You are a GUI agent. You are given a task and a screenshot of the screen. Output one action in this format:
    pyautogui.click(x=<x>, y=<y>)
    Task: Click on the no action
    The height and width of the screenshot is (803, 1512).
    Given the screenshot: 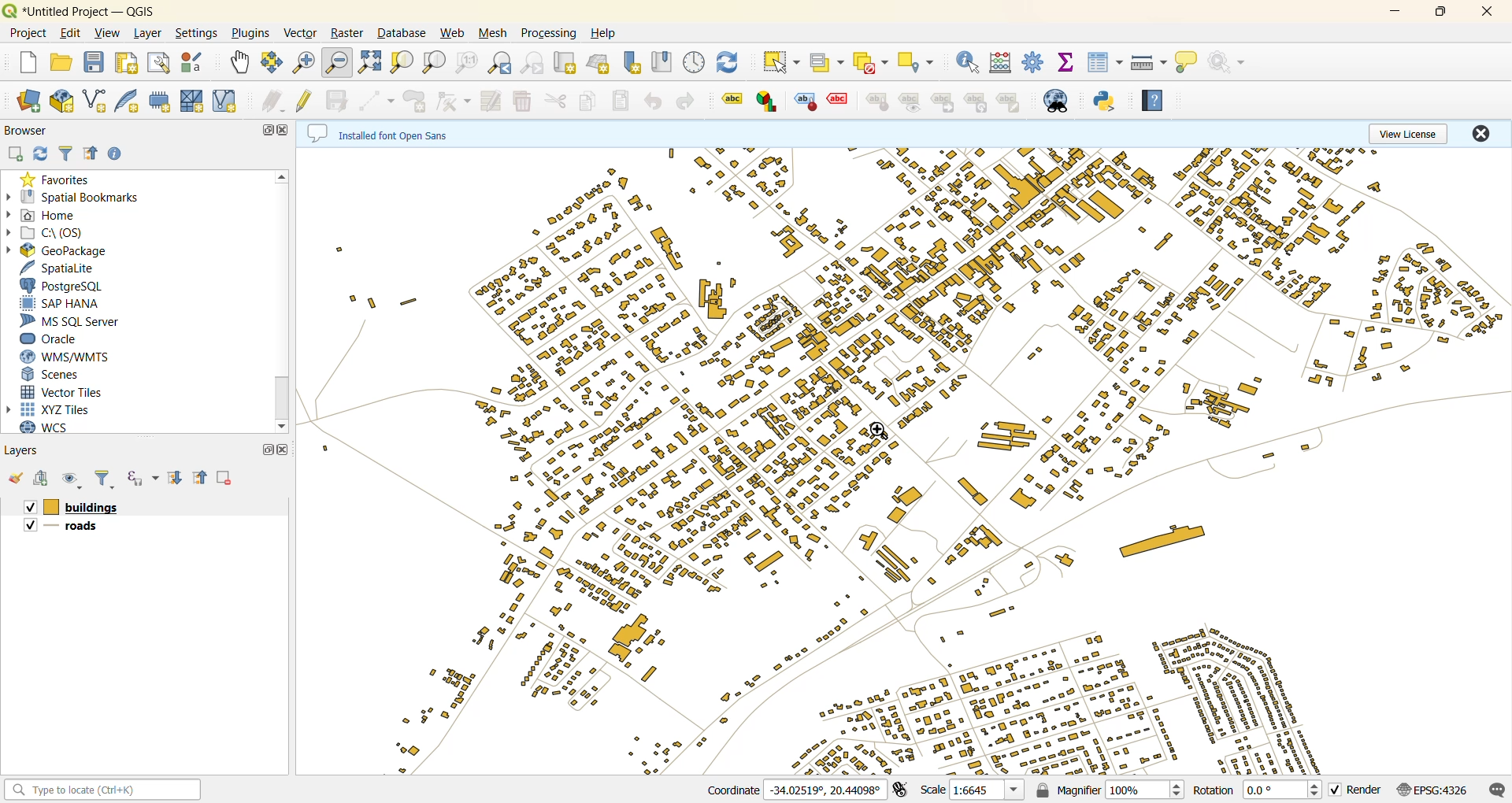 What is the action you would take?
    pyautogui.click(x=1228, y=64)
    